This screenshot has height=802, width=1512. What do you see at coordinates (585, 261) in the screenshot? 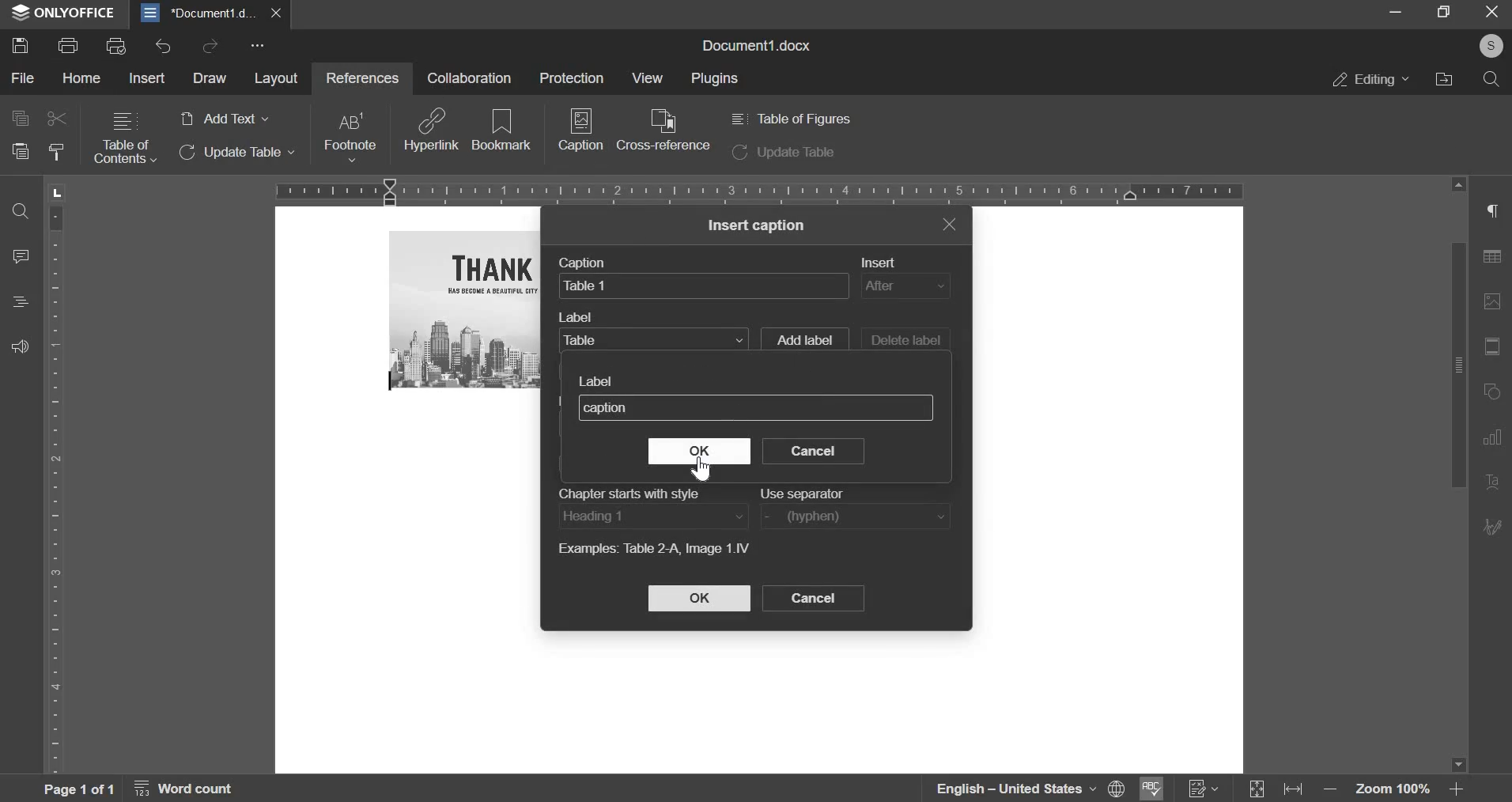
I see `Caption` at bounding box center [585, 261].